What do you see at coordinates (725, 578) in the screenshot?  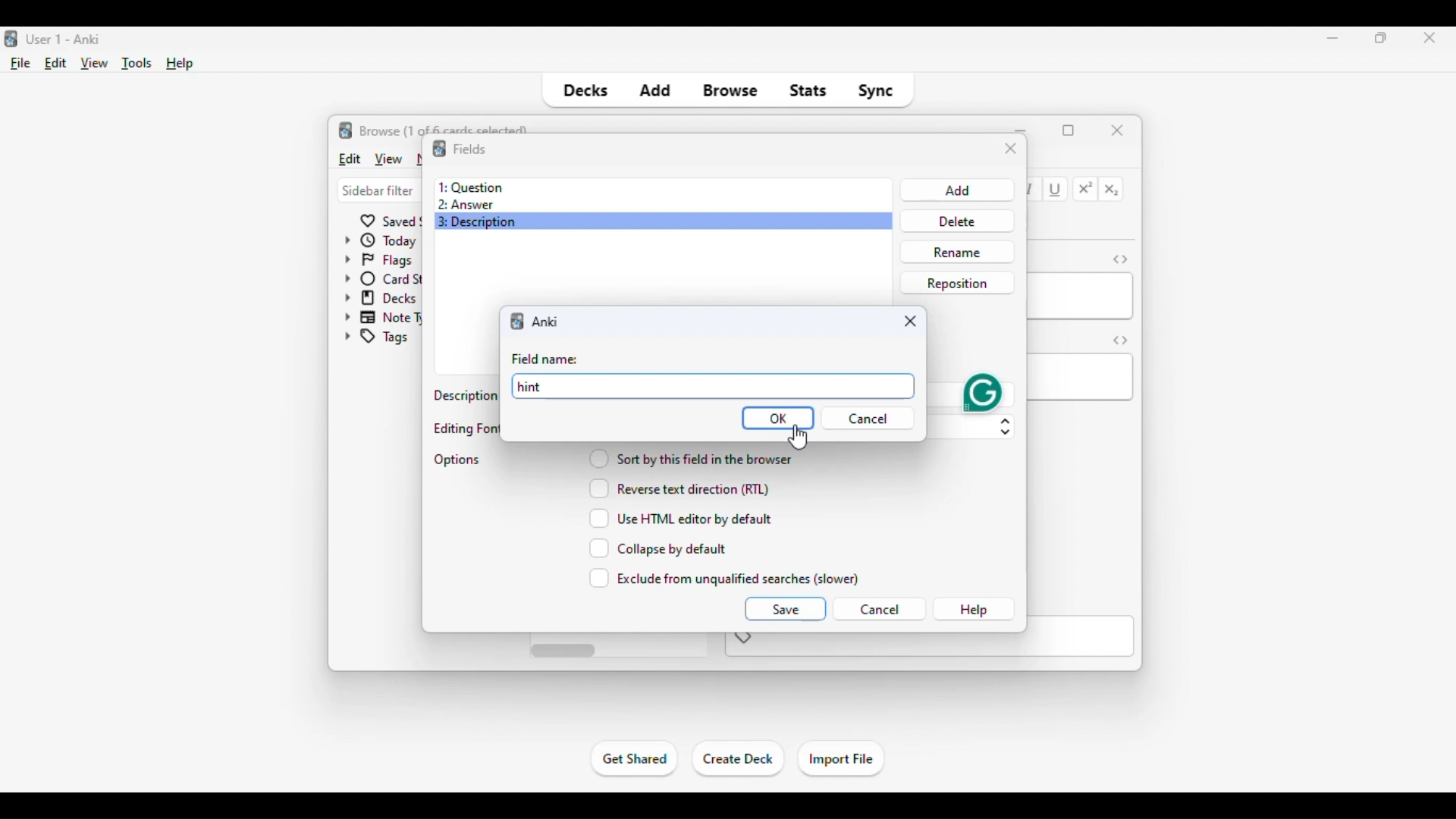 I see `exclude from unqualified searches (slower)` at bounding box center [725, 578].